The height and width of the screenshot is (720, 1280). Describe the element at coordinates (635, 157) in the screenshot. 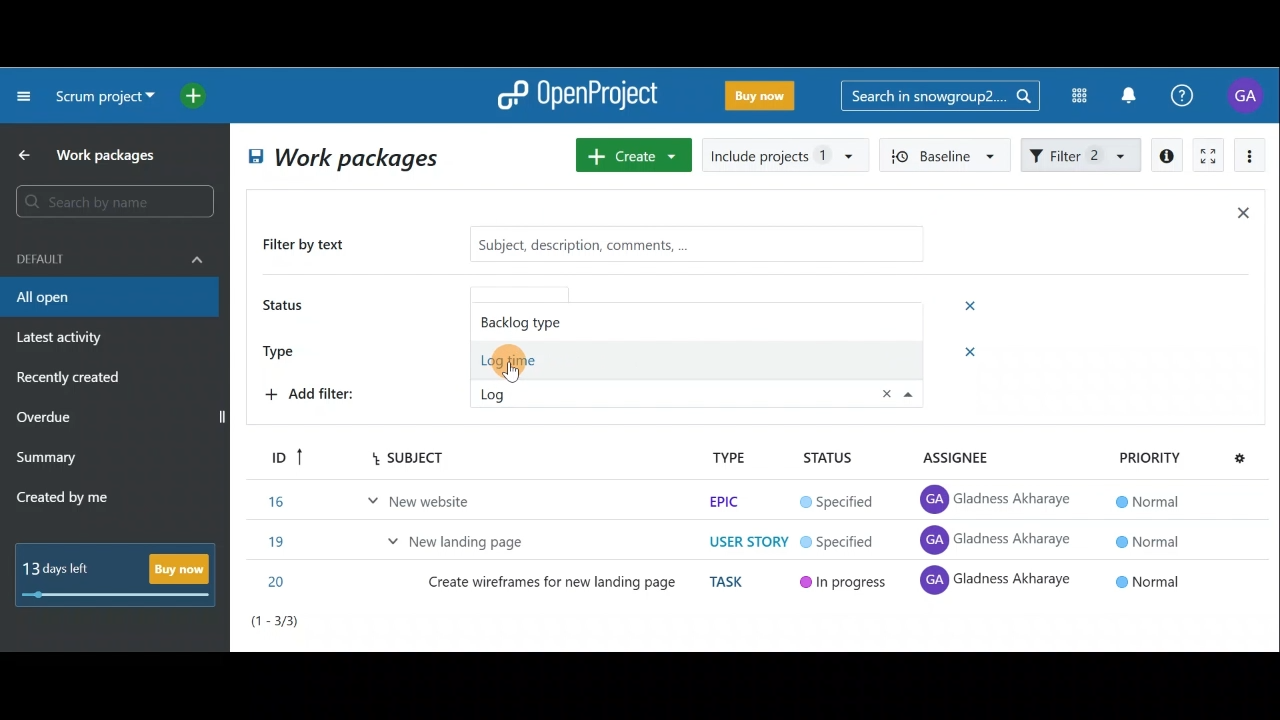

I see `+ Create ` at that location.